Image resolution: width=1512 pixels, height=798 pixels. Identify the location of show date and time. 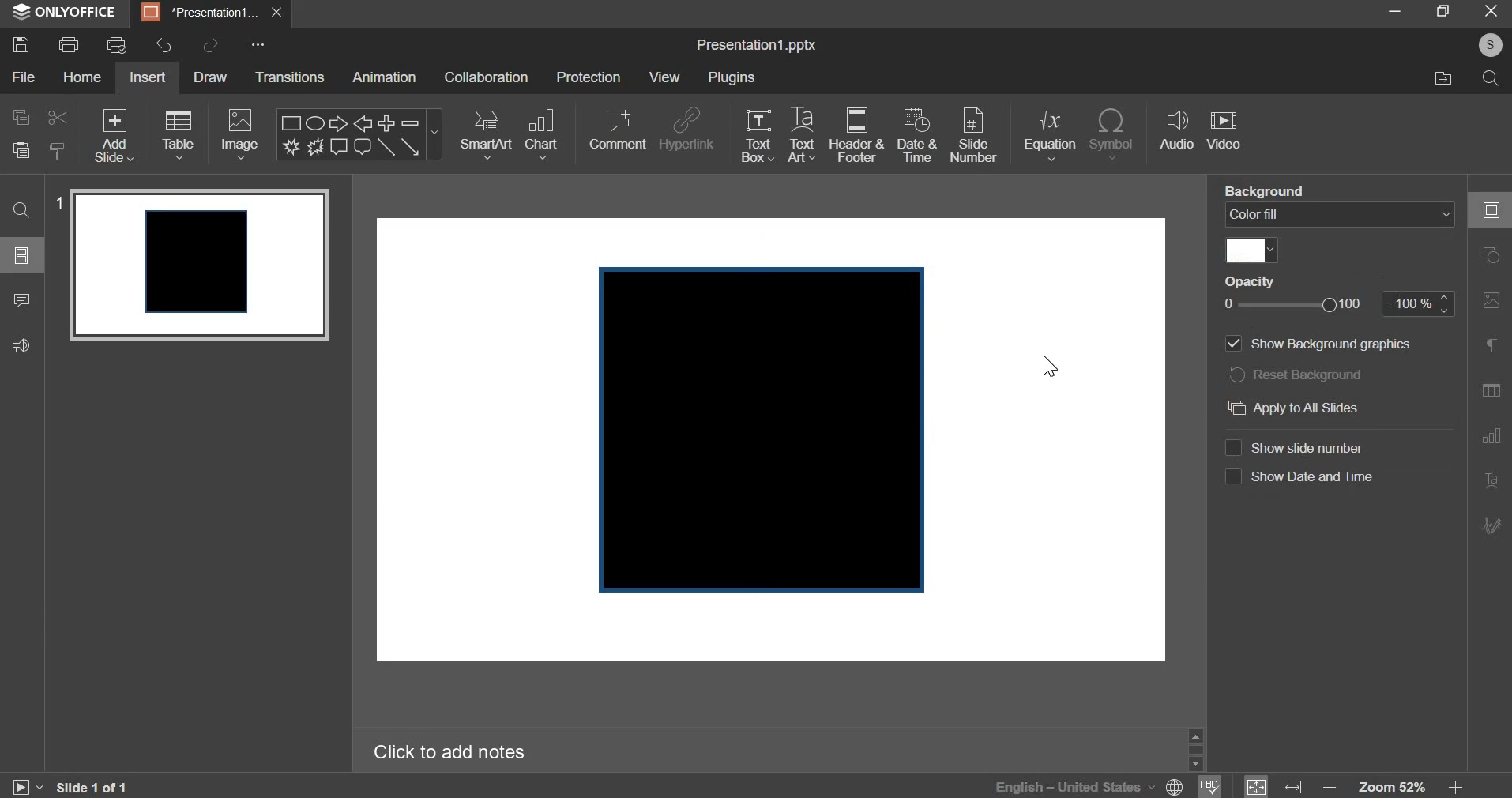
(1300, 476).